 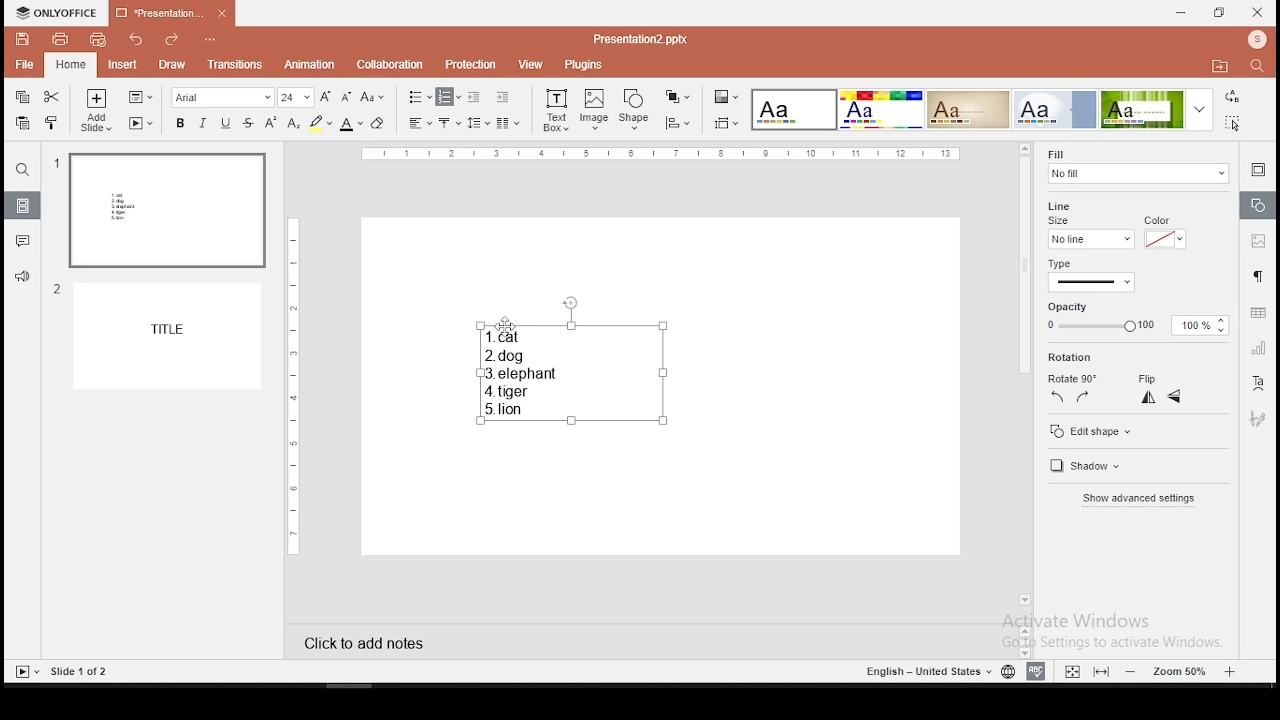 What do you see at coordinates (173, 42) in the screenshot?
I see `redo` at bounding box center [173, 42].